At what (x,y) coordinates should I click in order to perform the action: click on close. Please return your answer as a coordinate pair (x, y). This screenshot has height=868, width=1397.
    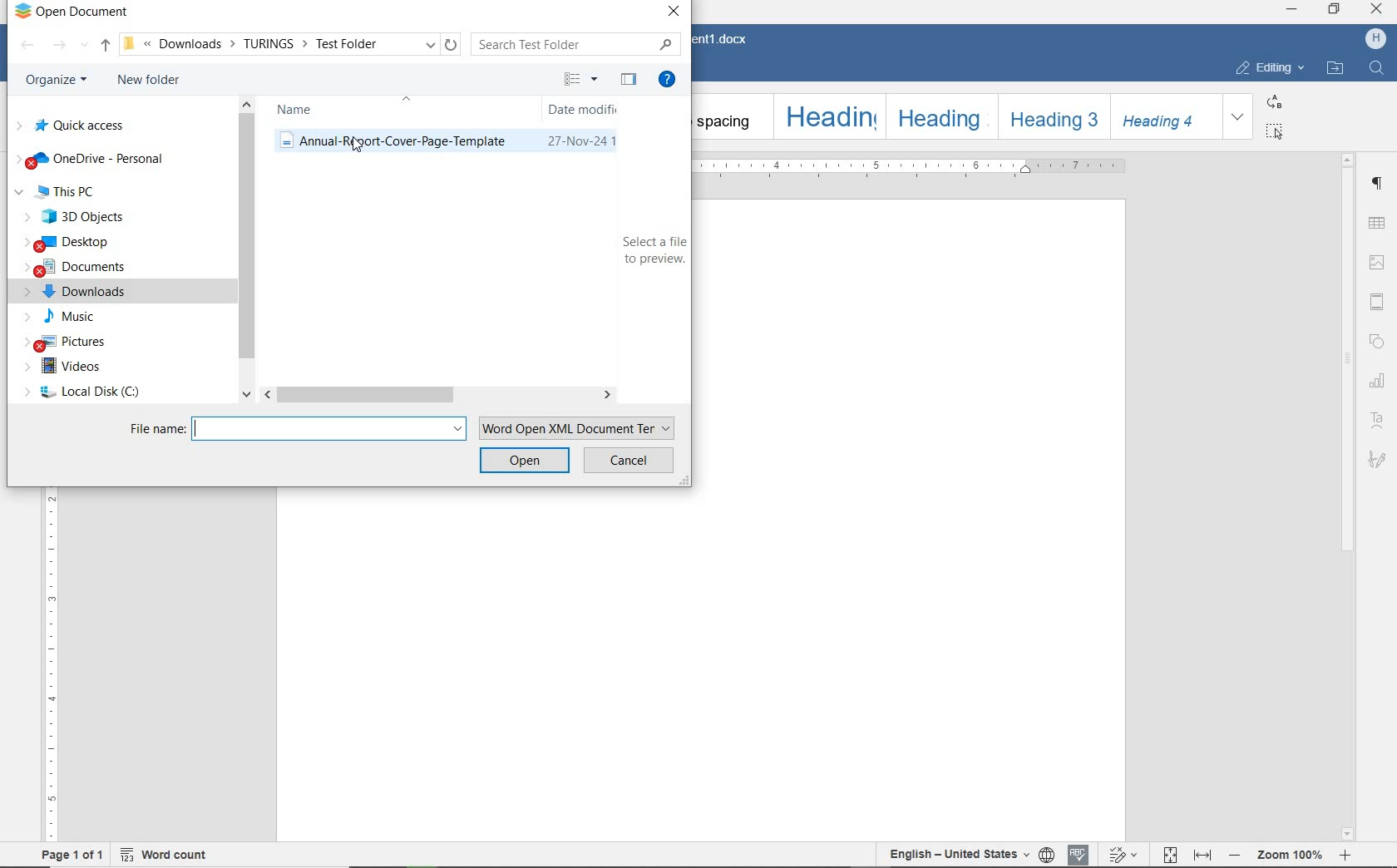
    Looking at the image, I should click on (1376, 11).